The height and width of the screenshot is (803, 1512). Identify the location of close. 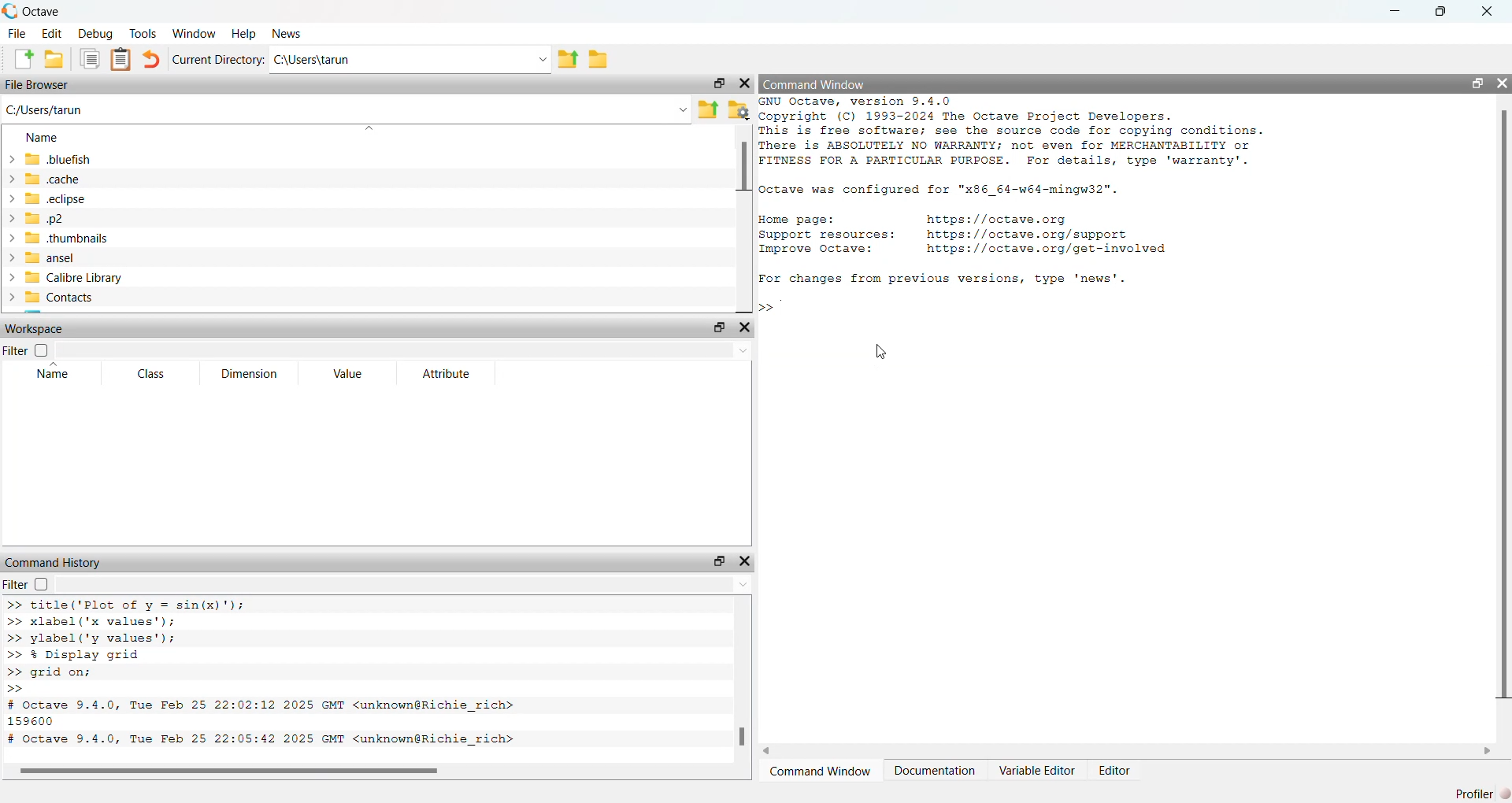
(744, 328).